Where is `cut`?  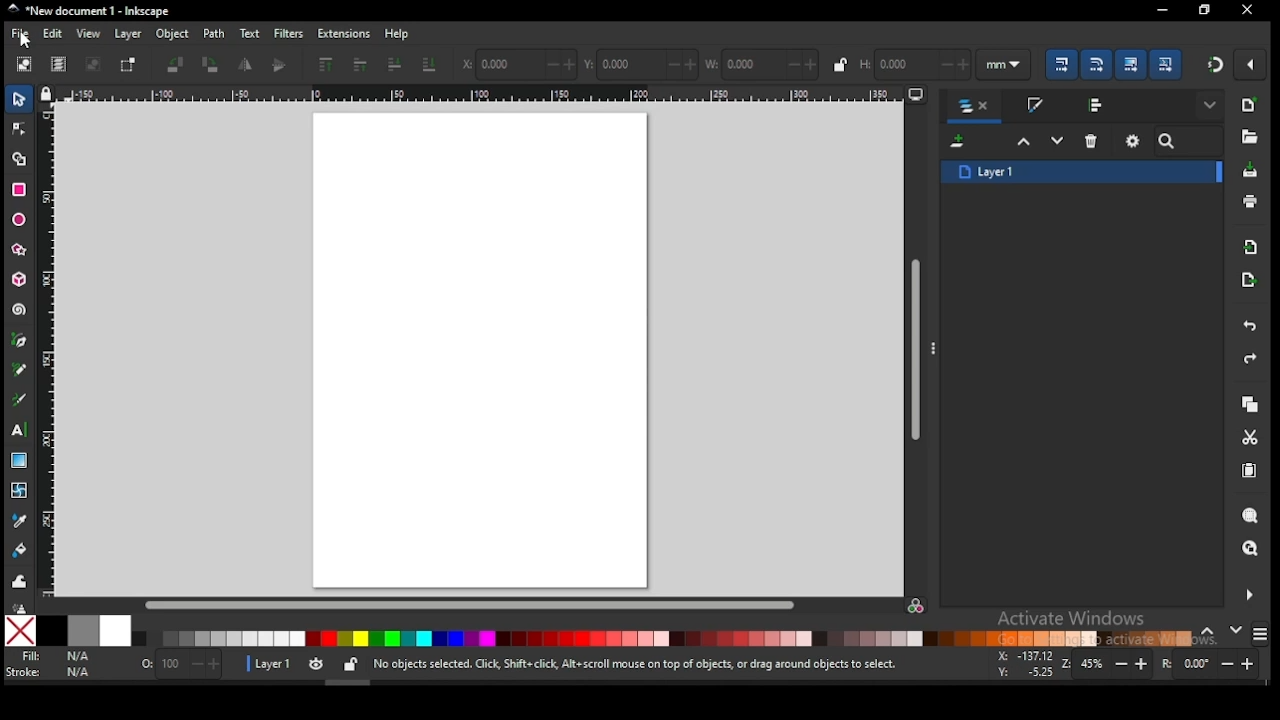 cut is located at coordinates (1250, 437).